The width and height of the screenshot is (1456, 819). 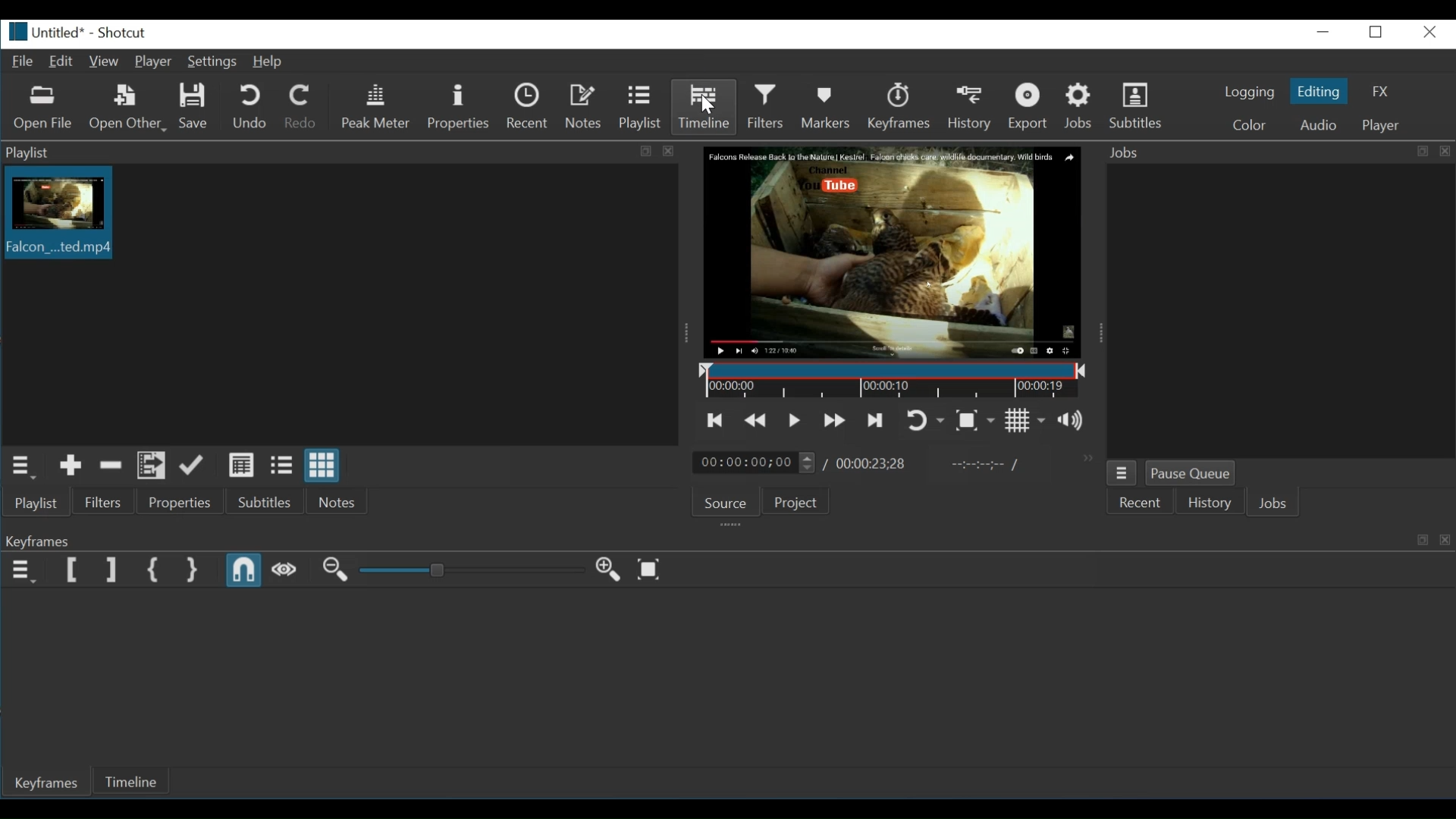 I want to click on Job menu, so click(x=1122, y=474).